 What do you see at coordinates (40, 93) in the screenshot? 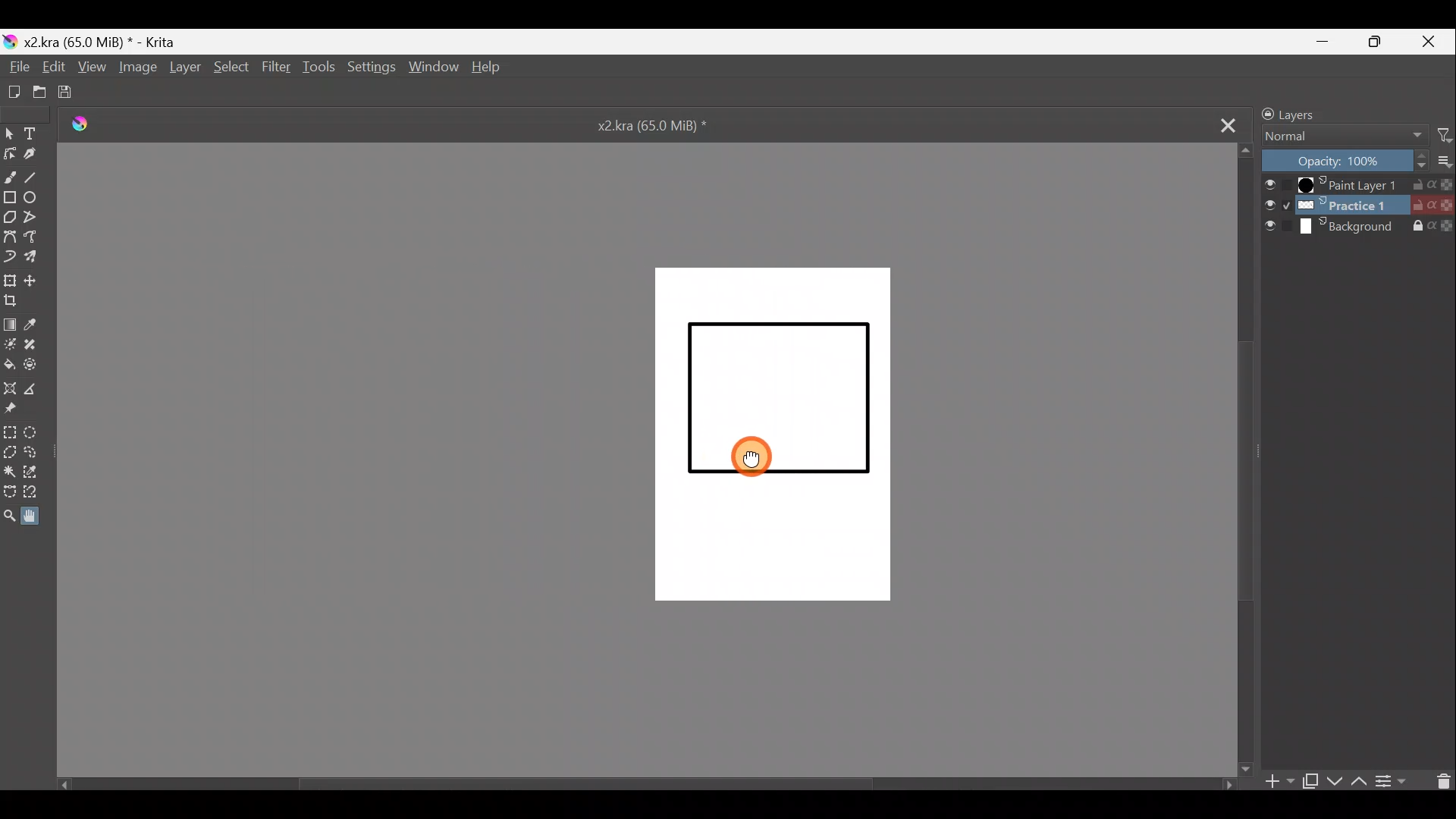
I see `Open existing document` at bounding box center [40, 93].